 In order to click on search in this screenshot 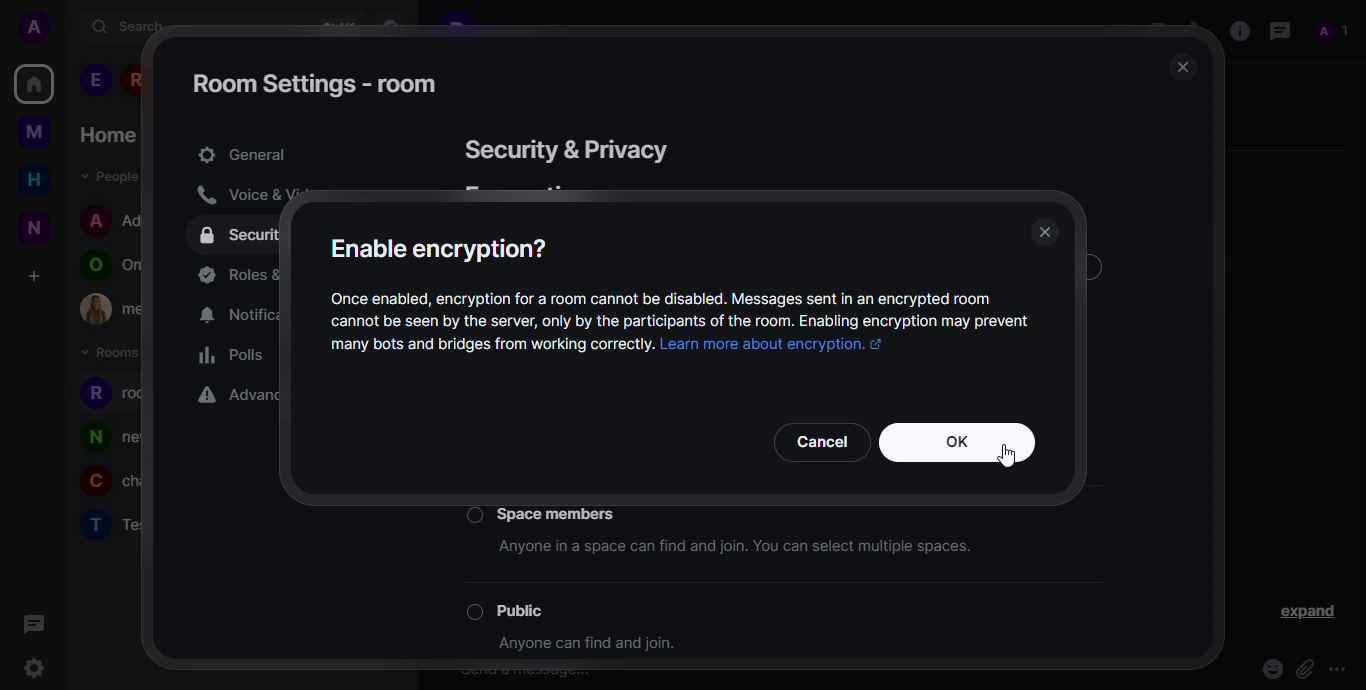, I will do `click(129, 26)`.